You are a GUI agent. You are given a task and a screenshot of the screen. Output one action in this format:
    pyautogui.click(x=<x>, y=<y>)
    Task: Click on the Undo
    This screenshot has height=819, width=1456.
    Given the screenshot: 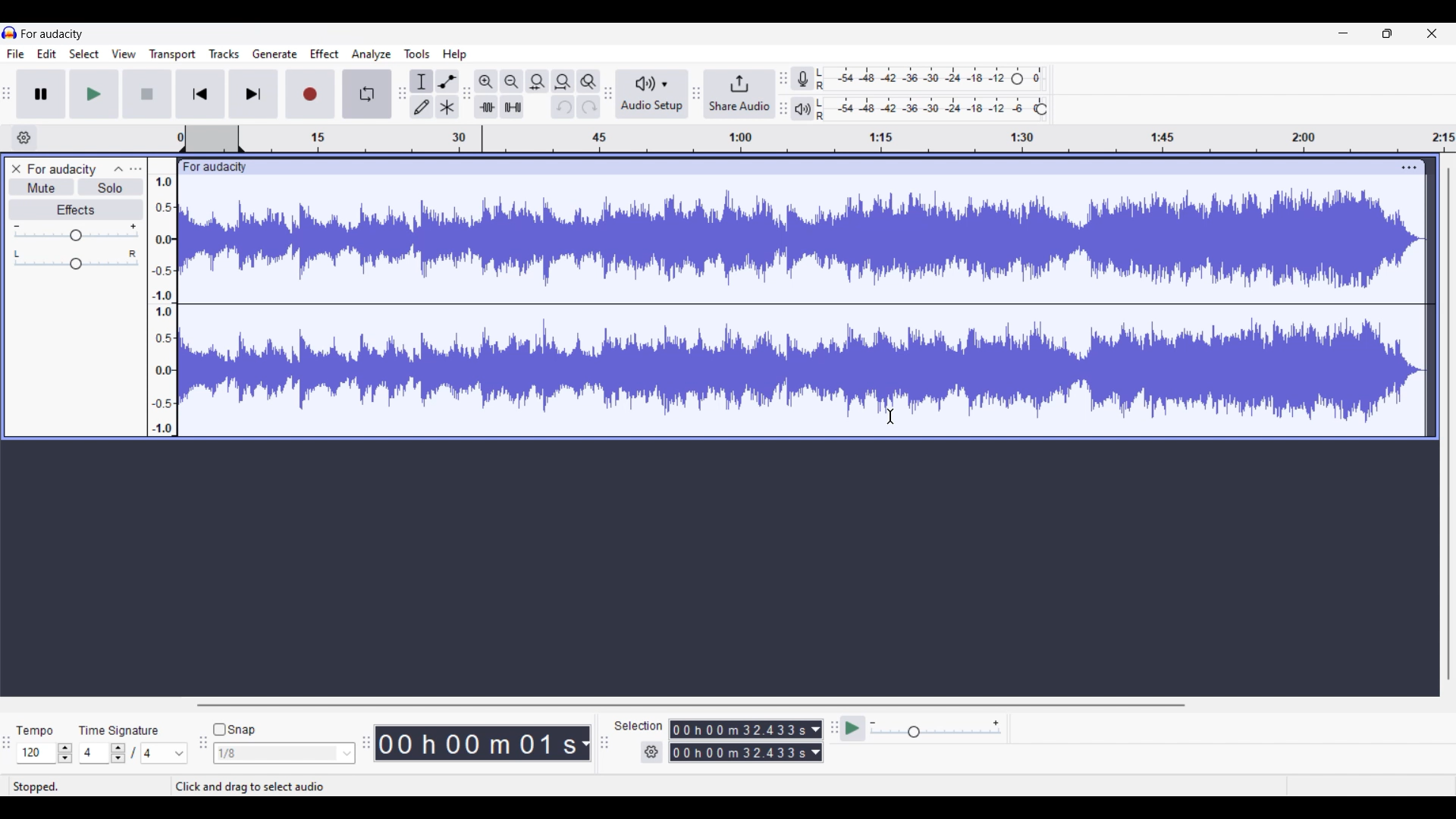 What is the action you would take?
    pyautogui.click(x=563, y=107)
    